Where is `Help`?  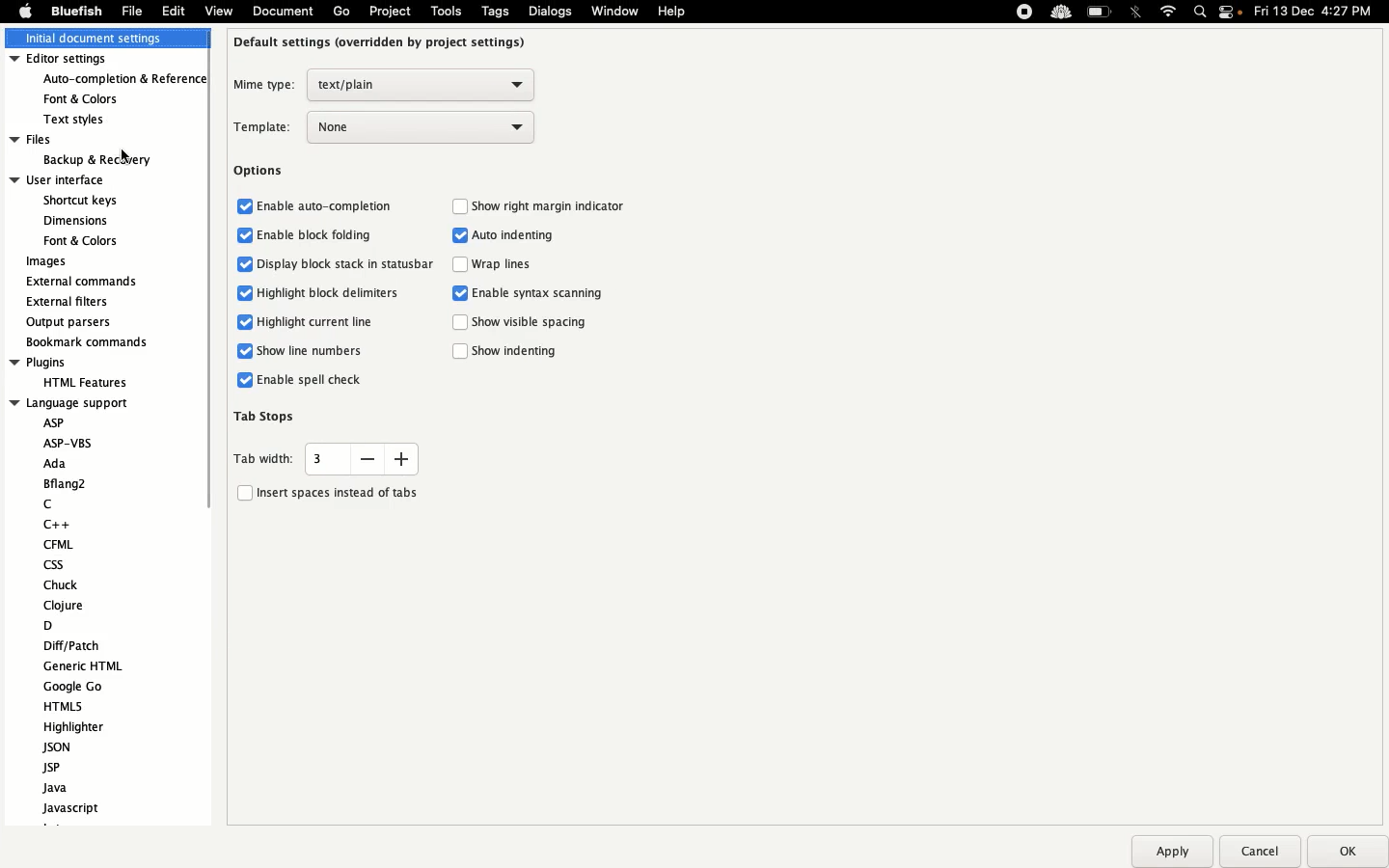
Help is located at coordinates (670, 13).